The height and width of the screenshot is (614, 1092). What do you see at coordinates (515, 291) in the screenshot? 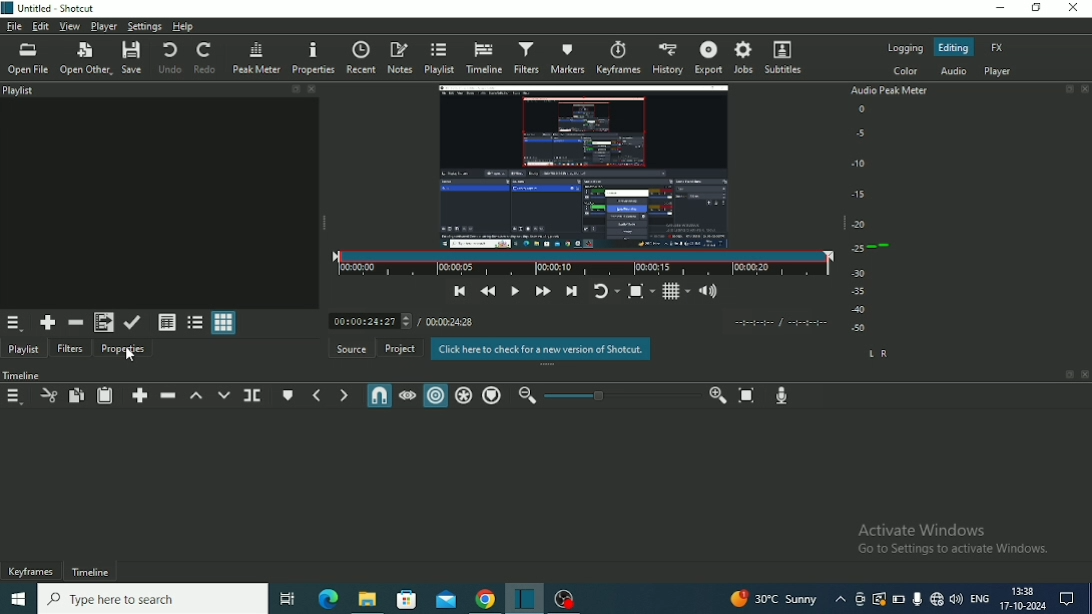
I see `Toggle play or pause` at bounding box center [515, 291].